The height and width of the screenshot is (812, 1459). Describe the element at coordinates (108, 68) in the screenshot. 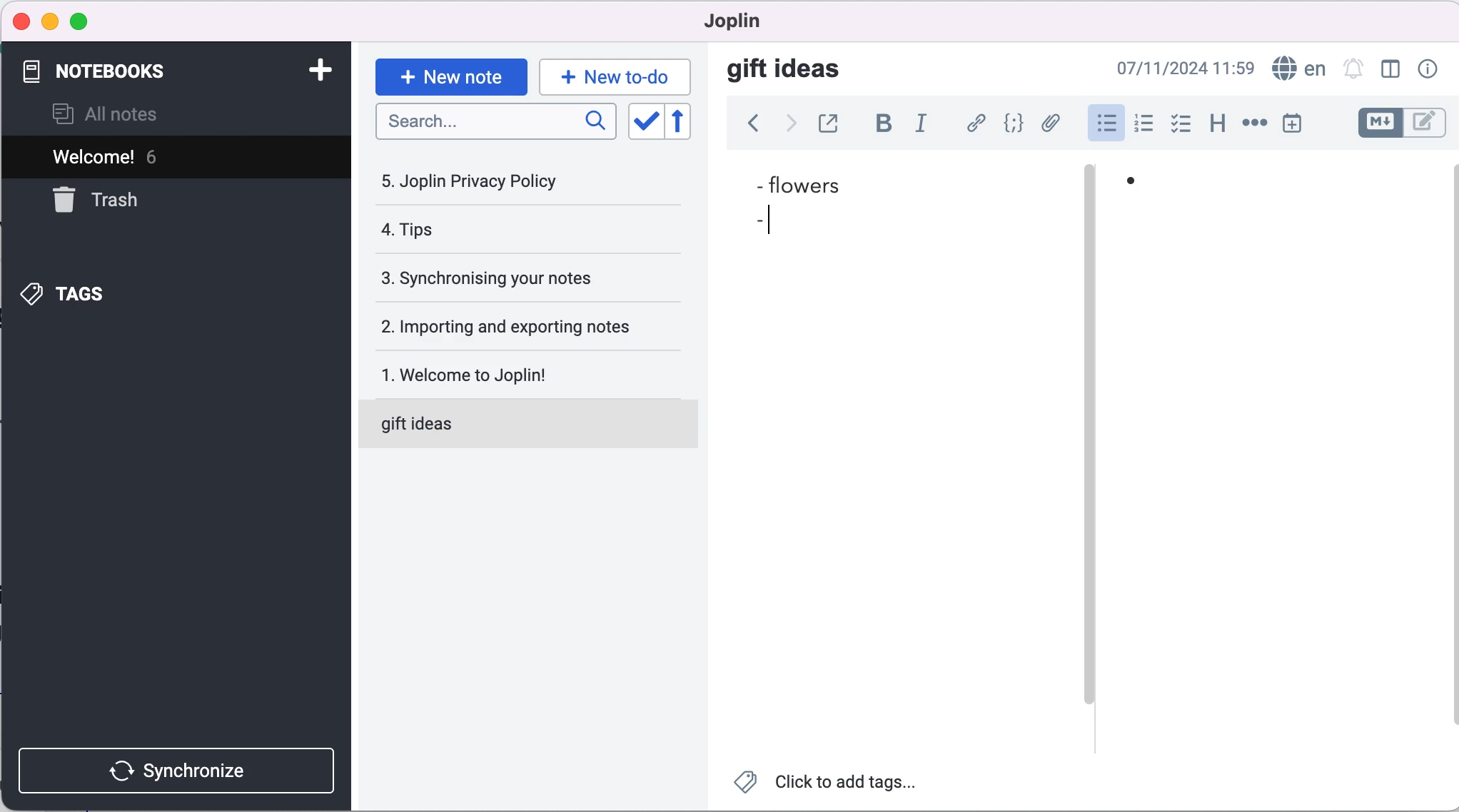

I see `notebooks` at that location.